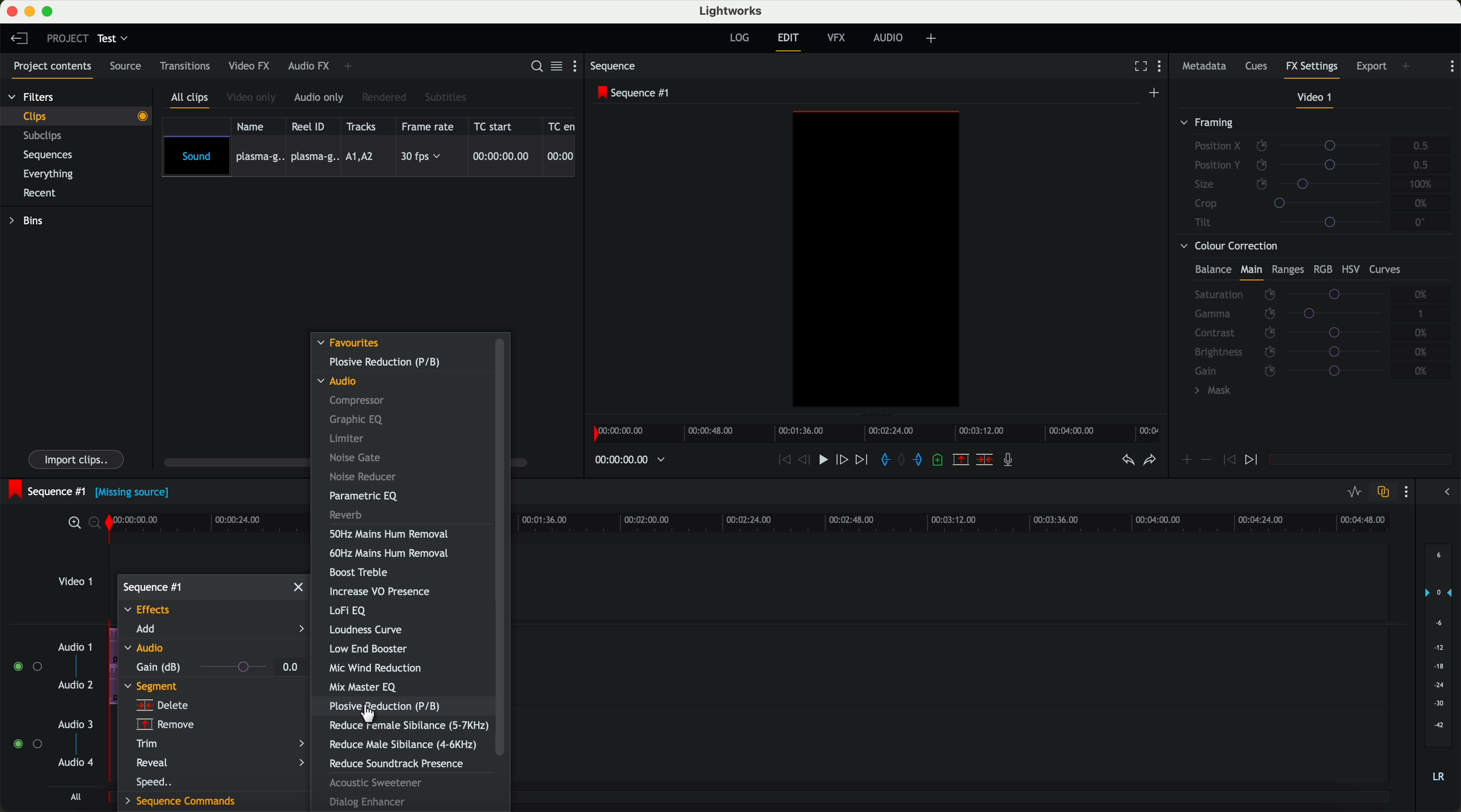 Image resolution: width=1461 pixels, height=812 pixels. What do you see at coordinates (162, 706) in the screenshot?
I see `delete` at bounding box center [162, 706].